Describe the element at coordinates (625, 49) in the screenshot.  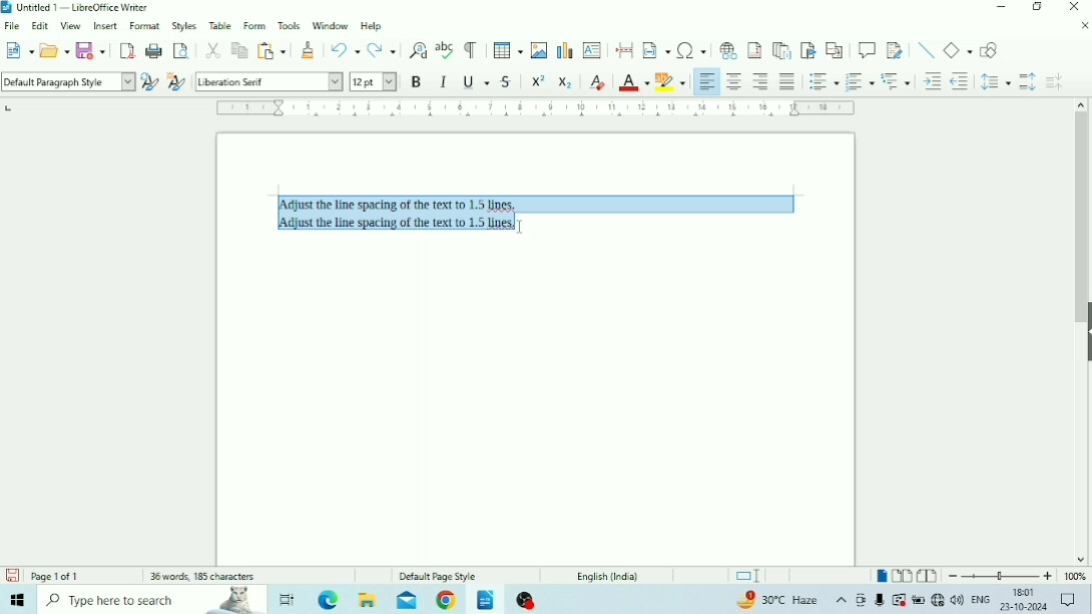
I see `Insert PageBreak` at that location.